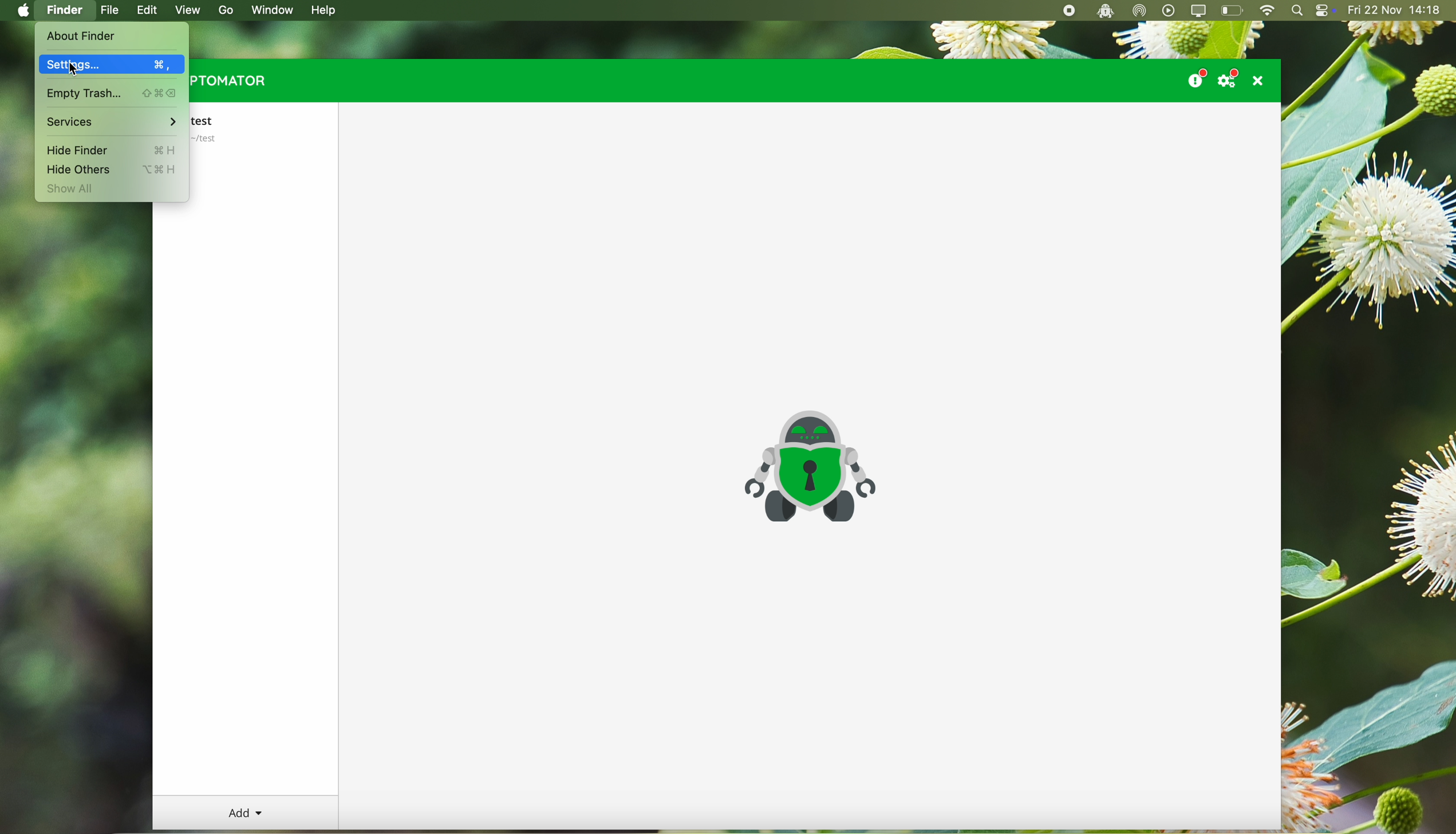  Describe the element at coordinates (1067, 11) in the screenshot. I see `stop recording` at that location.